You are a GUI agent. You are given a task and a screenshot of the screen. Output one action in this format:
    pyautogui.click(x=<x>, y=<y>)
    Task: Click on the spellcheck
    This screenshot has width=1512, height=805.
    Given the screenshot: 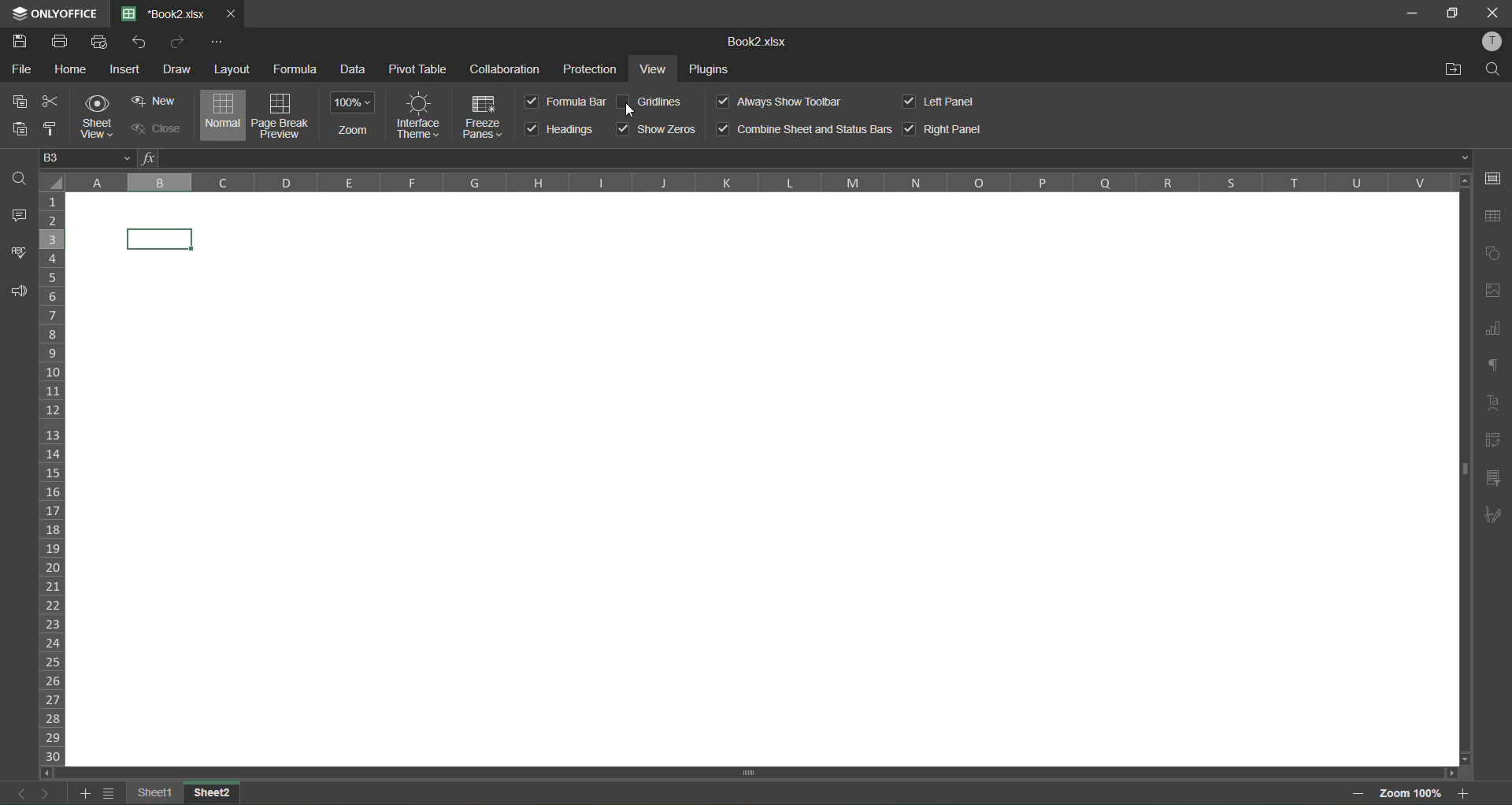 What is the action you would take?
    pyautogui.click(x=16, y=258)
    